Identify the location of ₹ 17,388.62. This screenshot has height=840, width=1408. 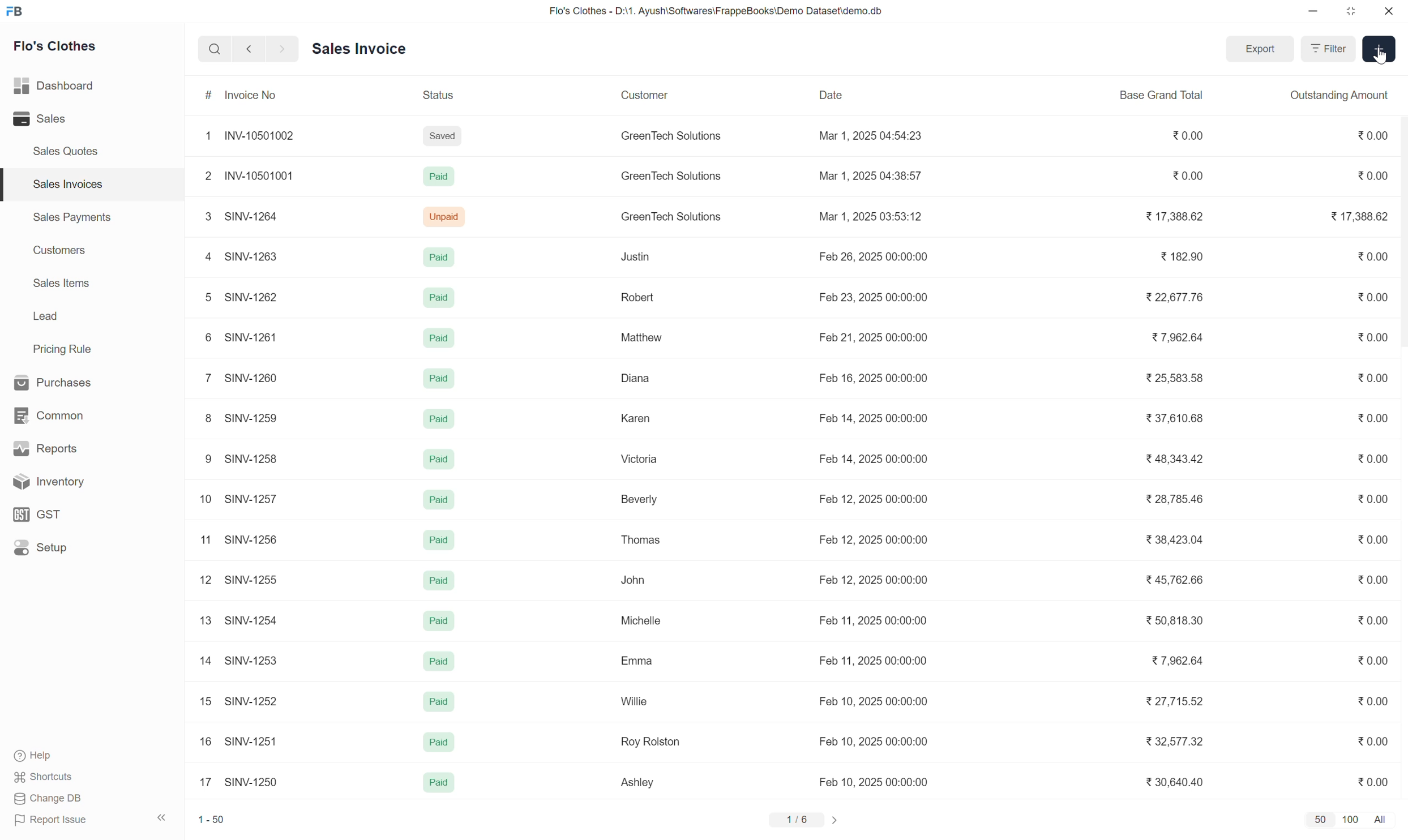
(1180, 217).